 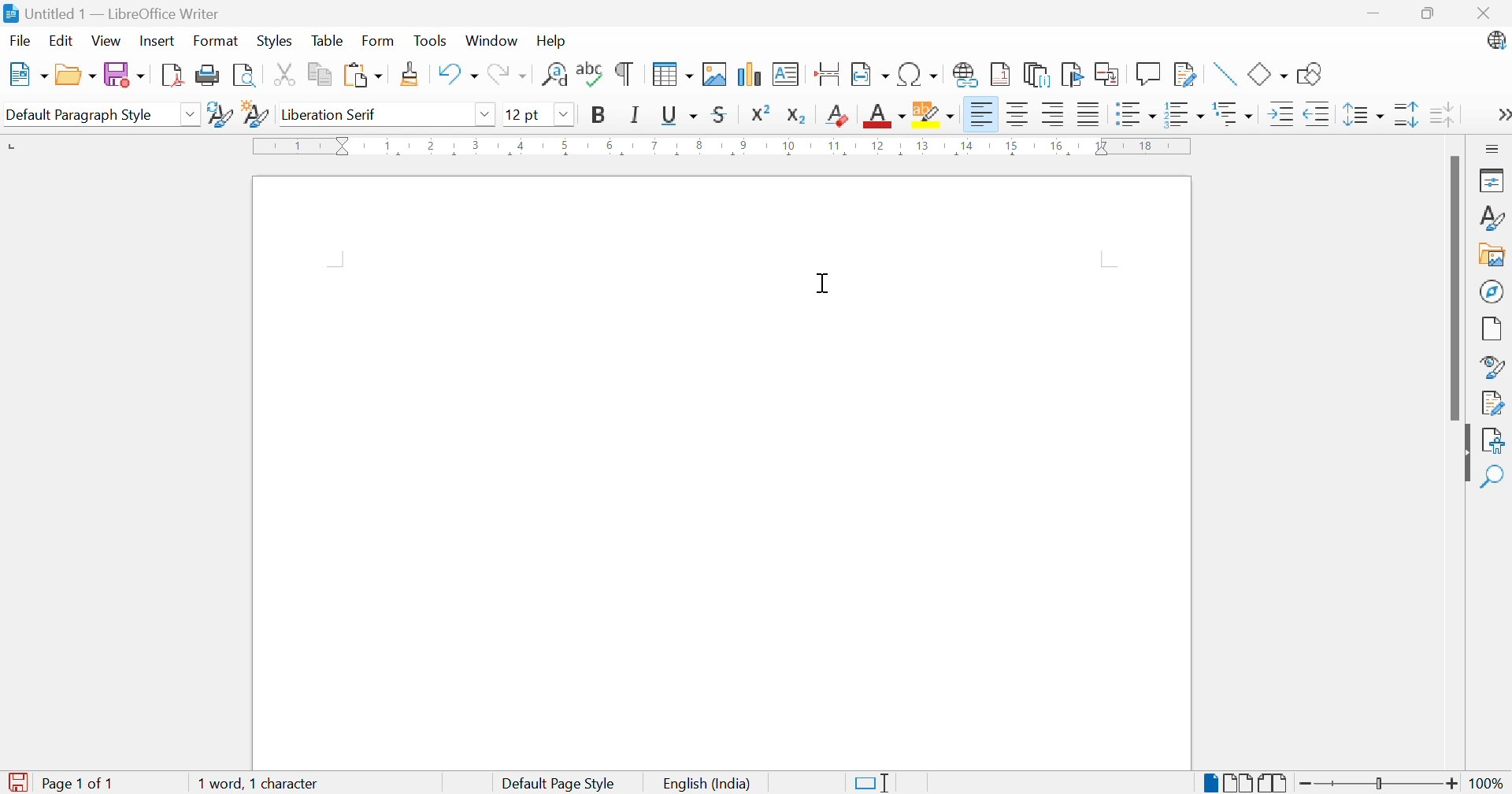 What do you see at coordinates (457, 74) in the screenshot?
I see `Undo` at bounding box center [457, 74].